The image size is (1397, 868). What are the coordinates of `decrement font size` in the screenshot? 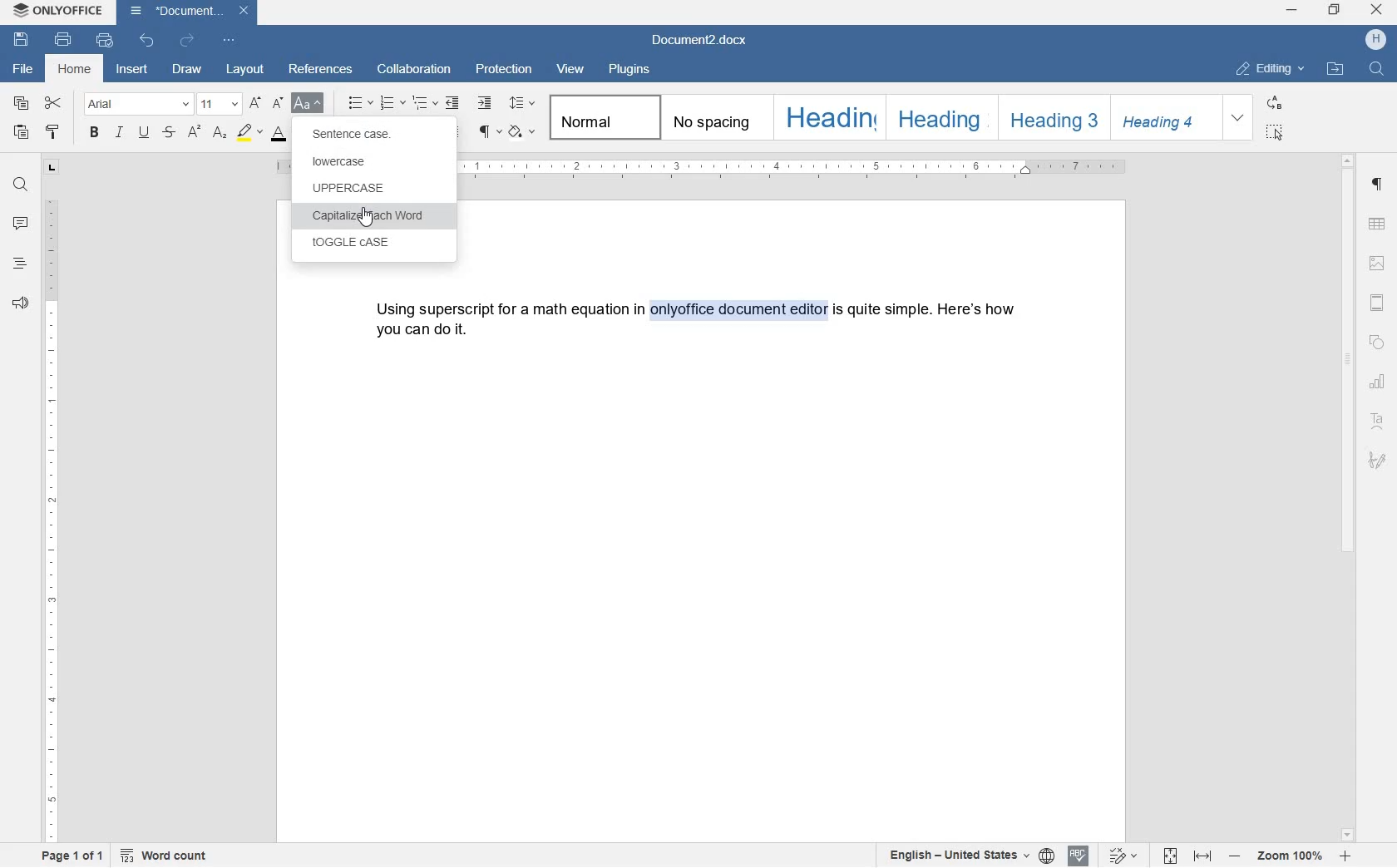 It's located at (278, 102).